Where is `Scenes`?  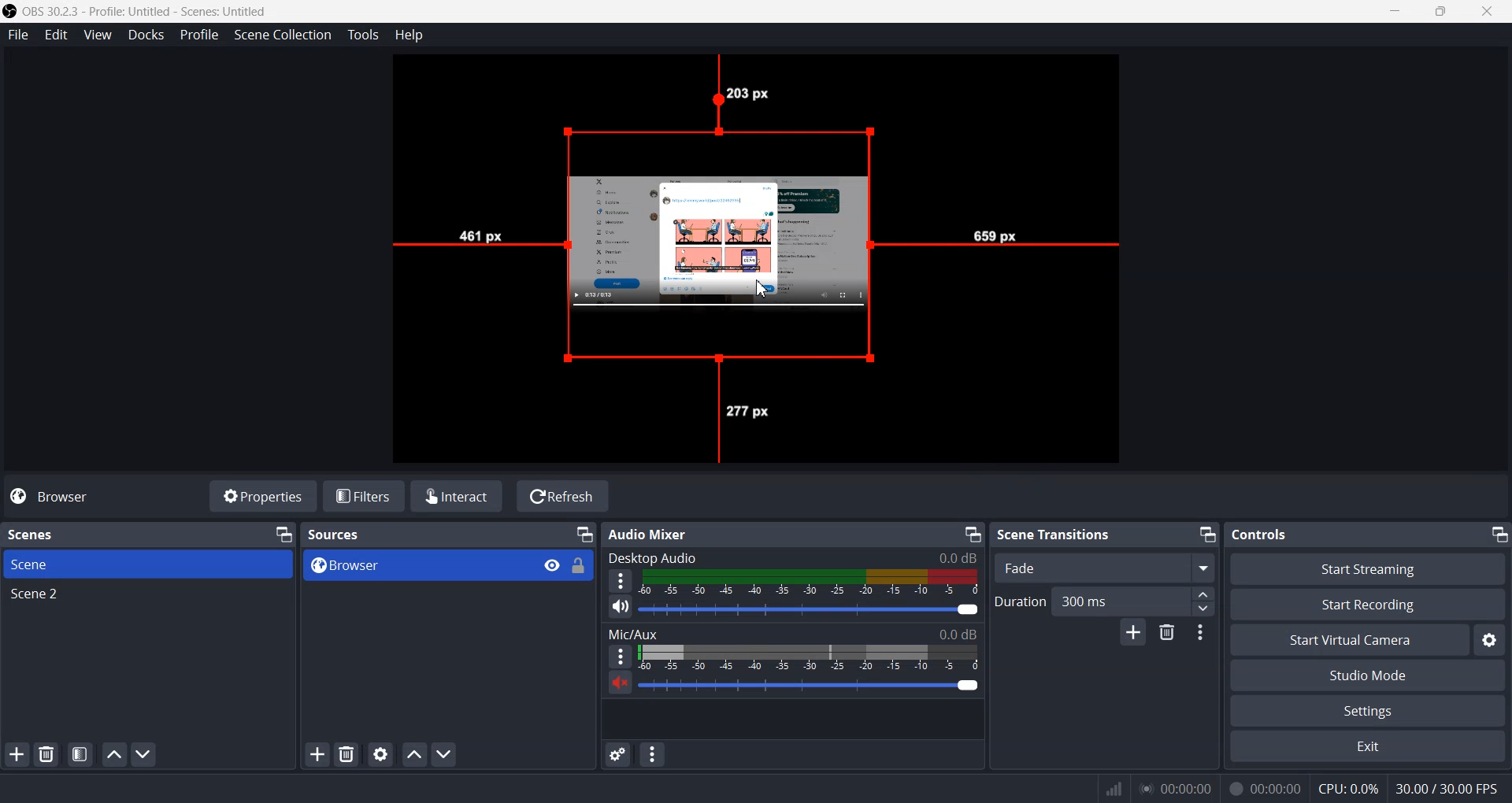 Scenes is located at coordinates (65, 533).